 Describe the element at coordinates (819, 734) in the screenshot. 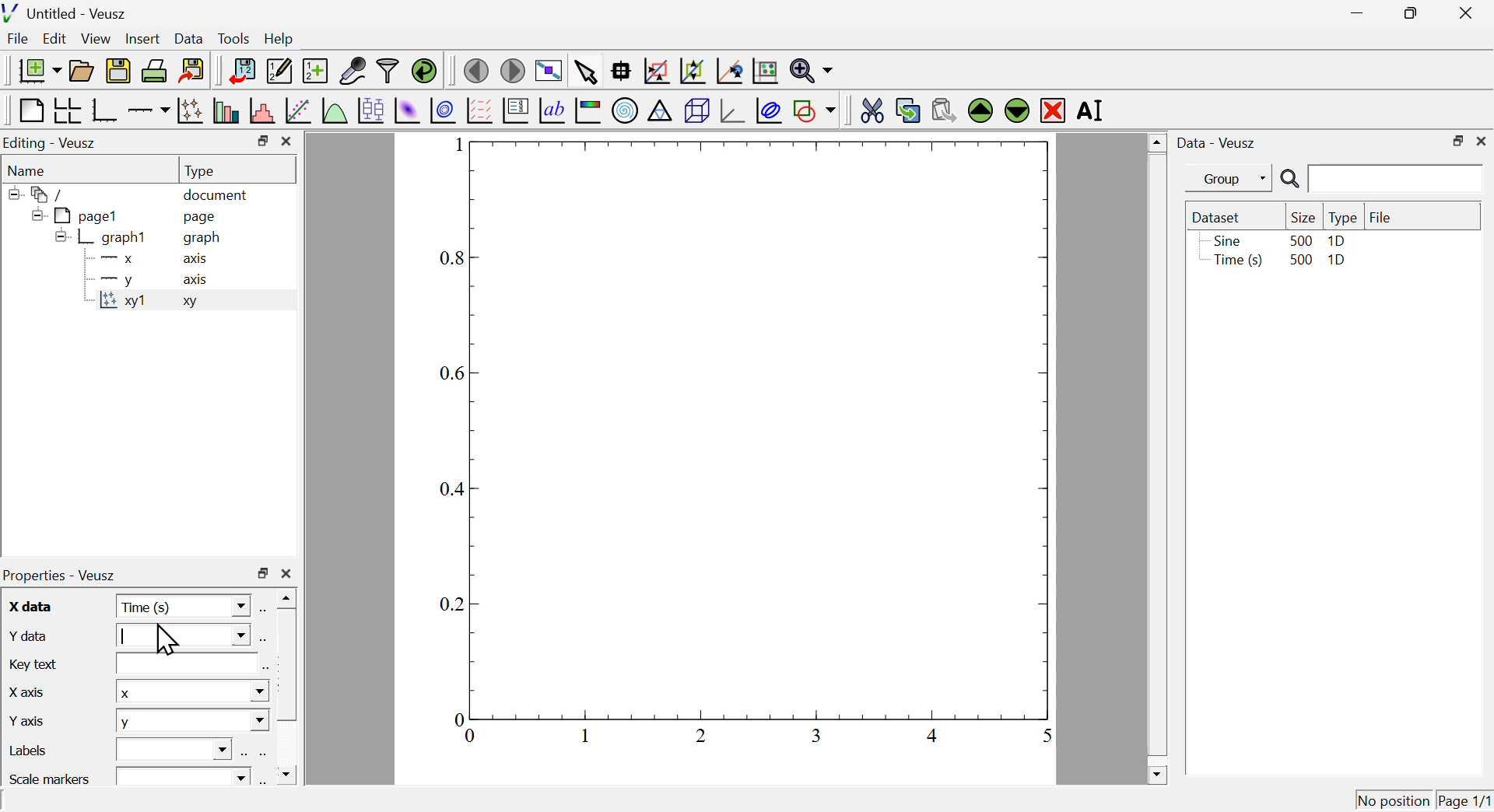

I see `0.6` at that location.